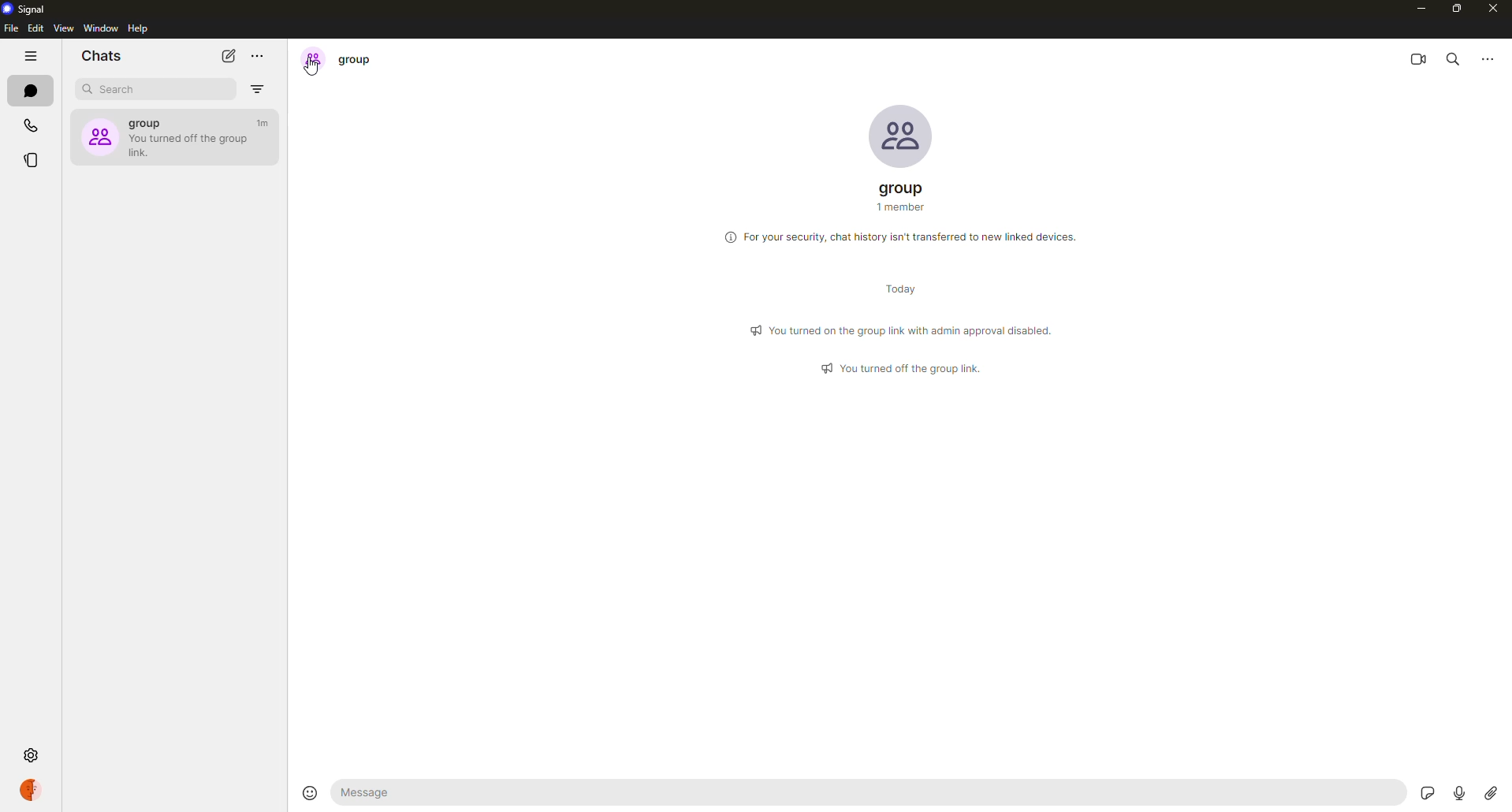 This screenshot has width=1512, height=812. Describe the element at coordinates (36, 29) in the screenshot. I see `edit` at that location.